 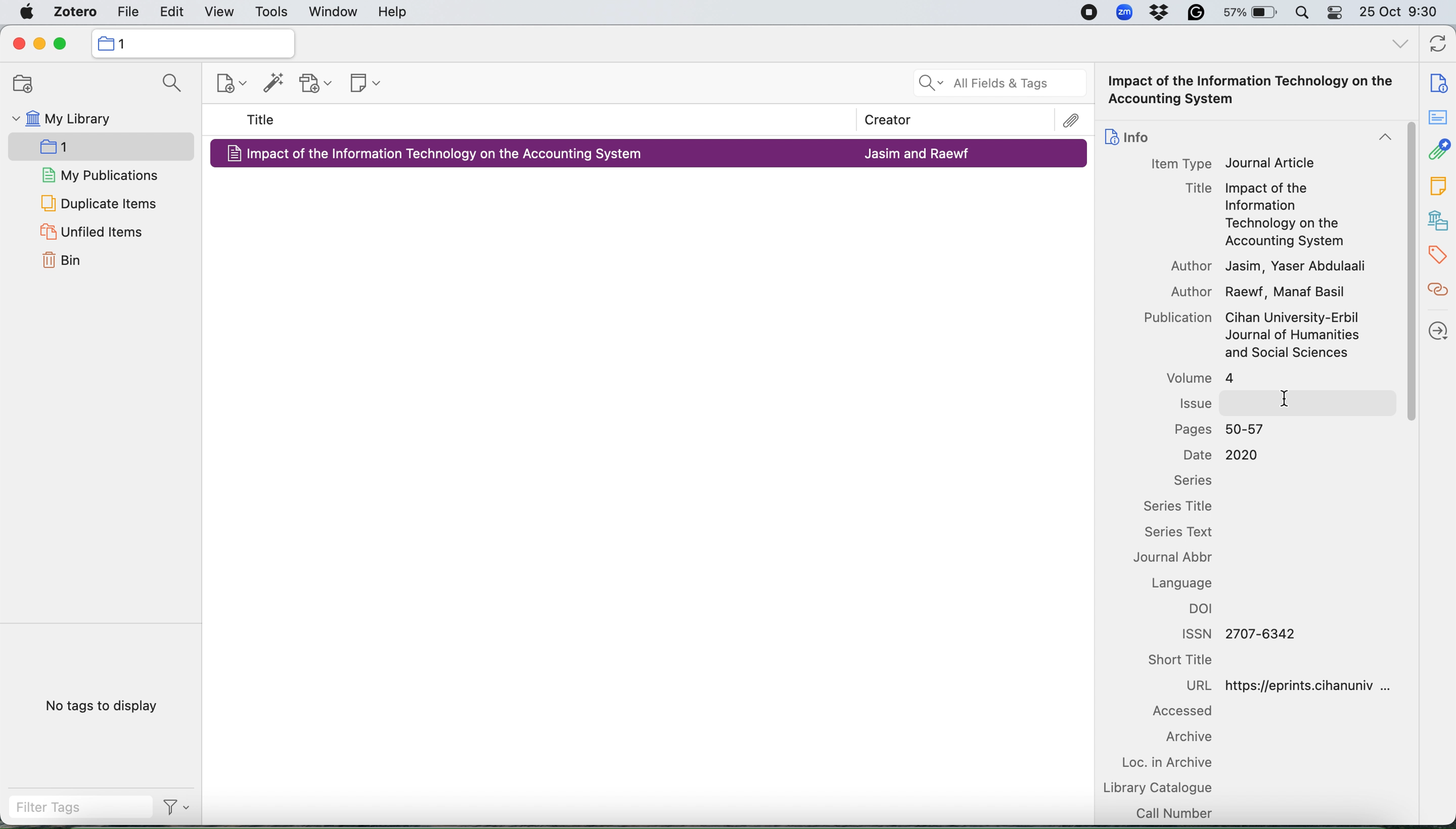 What do you see at coordinates (170, 10) in the screenshot?
I see `edit` at bounding box center [170, 10].